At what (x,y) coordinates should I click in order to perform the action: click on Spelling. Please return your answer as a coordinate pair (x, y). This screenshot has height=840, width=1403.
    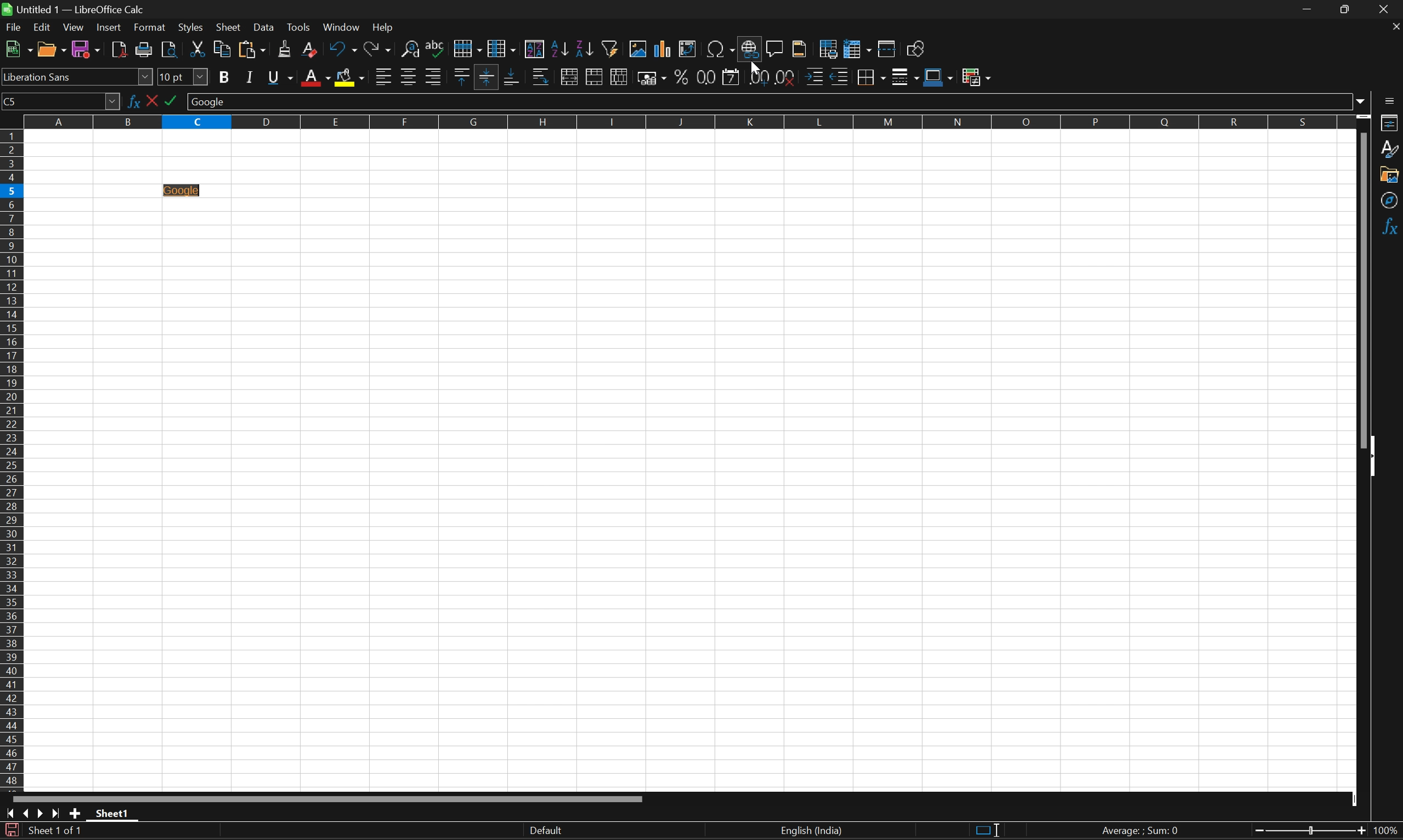
    Looking at the image, I should click on (437, 44).